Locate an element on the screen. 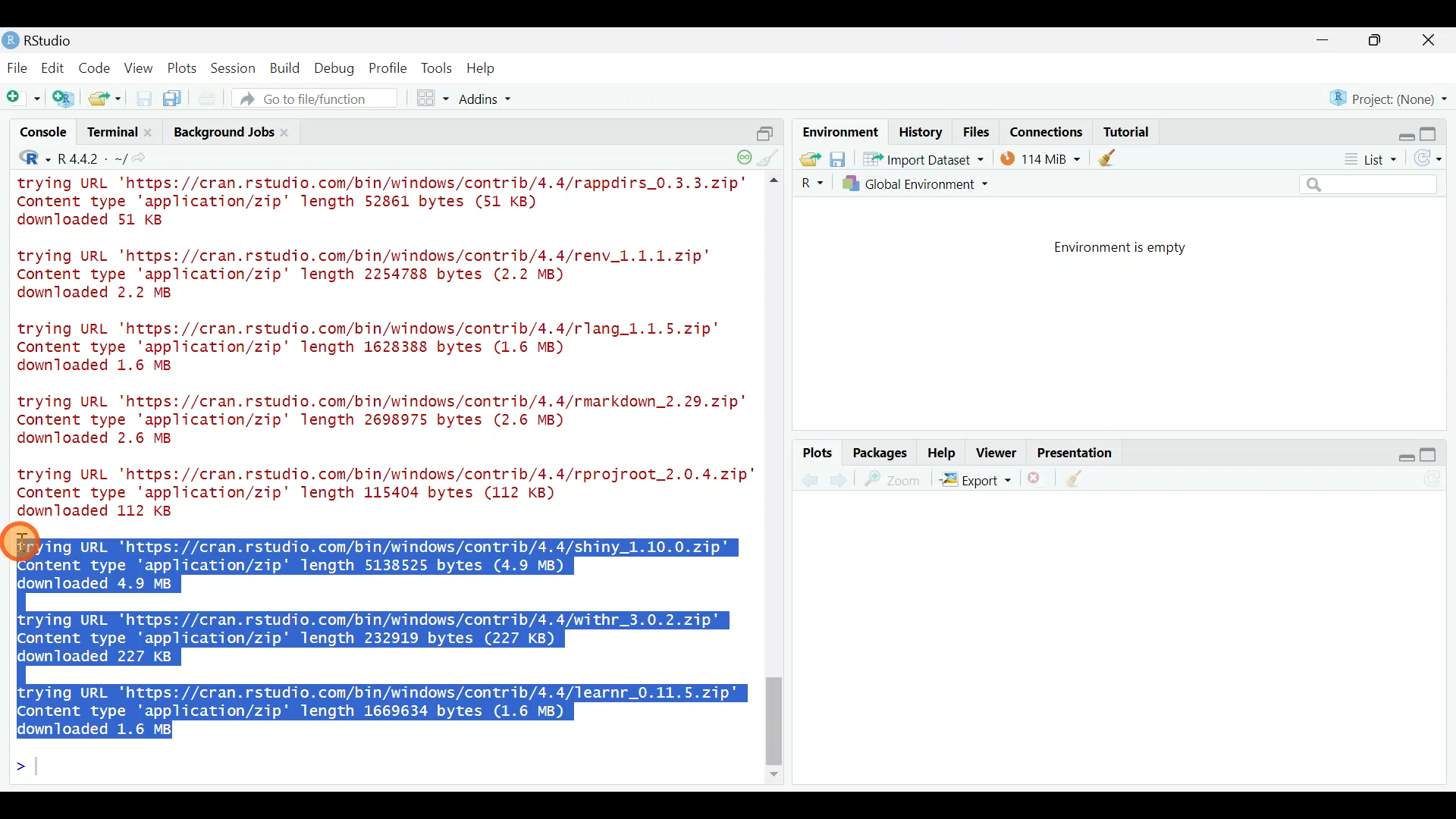 The width and height of the screenshot is (1456, 819). R is located at coordinates (24, 160).